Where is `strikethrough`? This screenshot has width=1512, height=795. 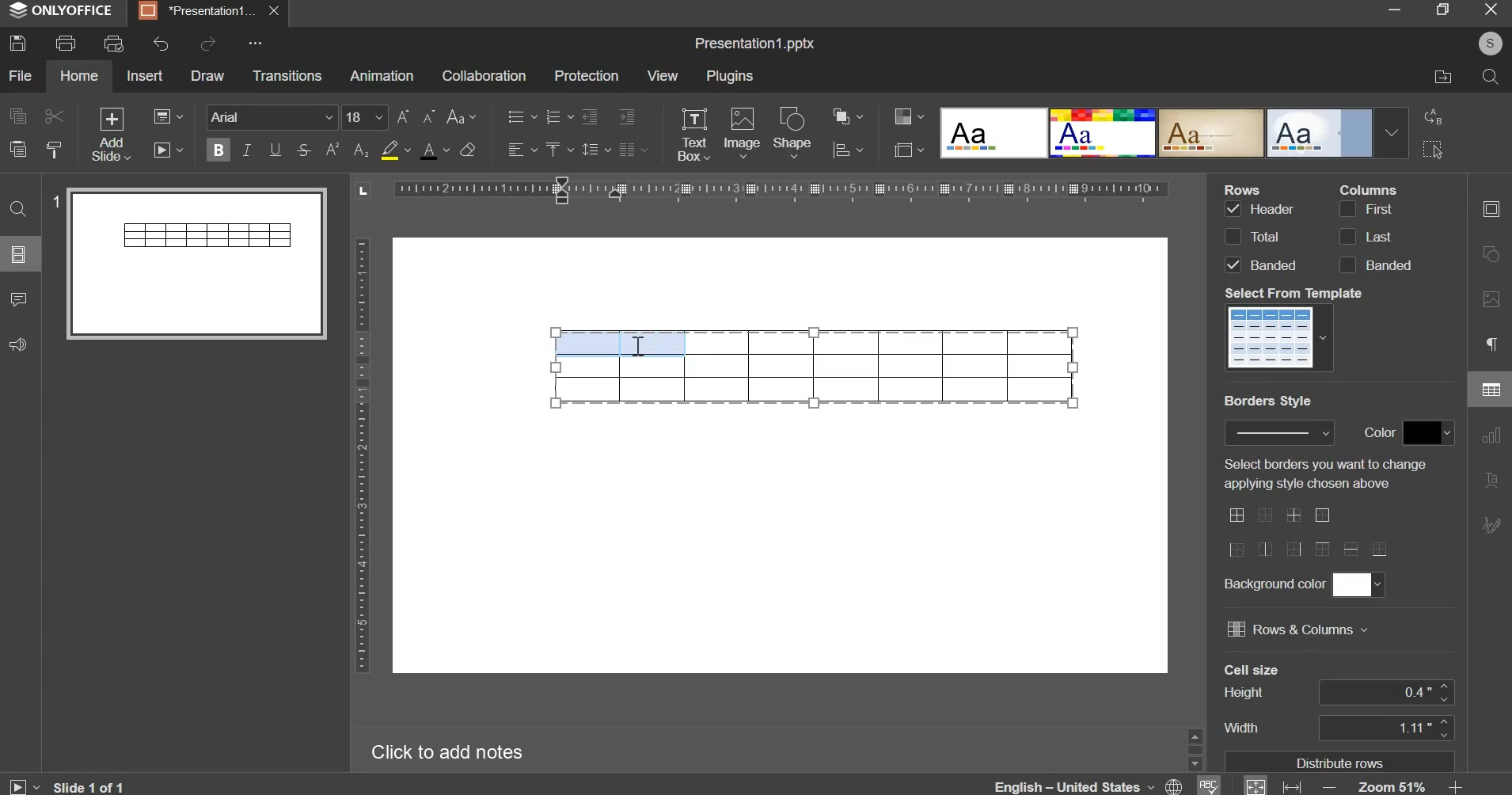
strikethrough is located at coordinates (302, 150).